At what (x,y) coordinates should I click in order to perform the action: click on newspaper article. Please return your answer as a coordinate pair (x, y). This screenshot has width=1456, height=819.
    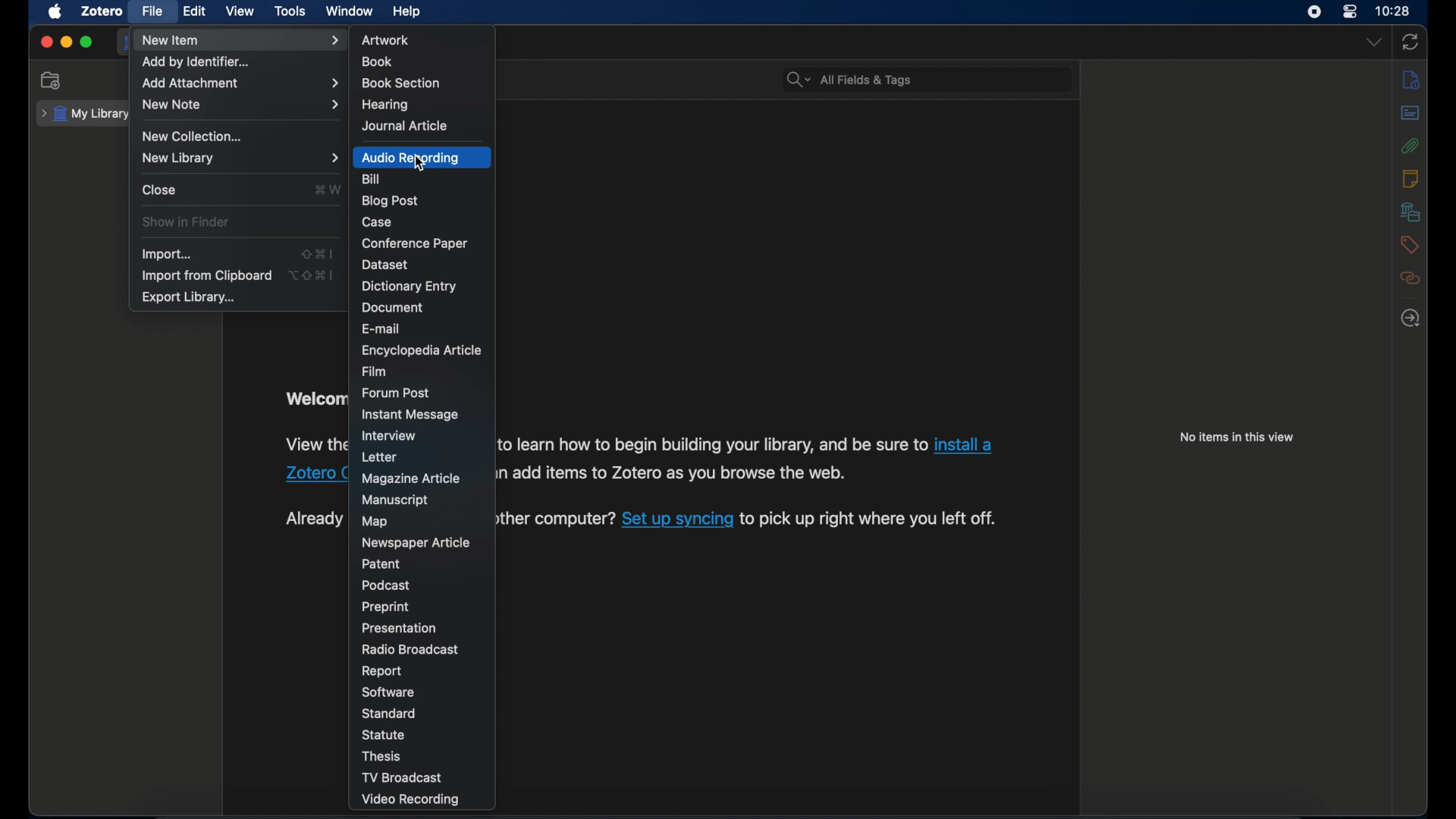
    Looking at the image, I should click on (416, 542).